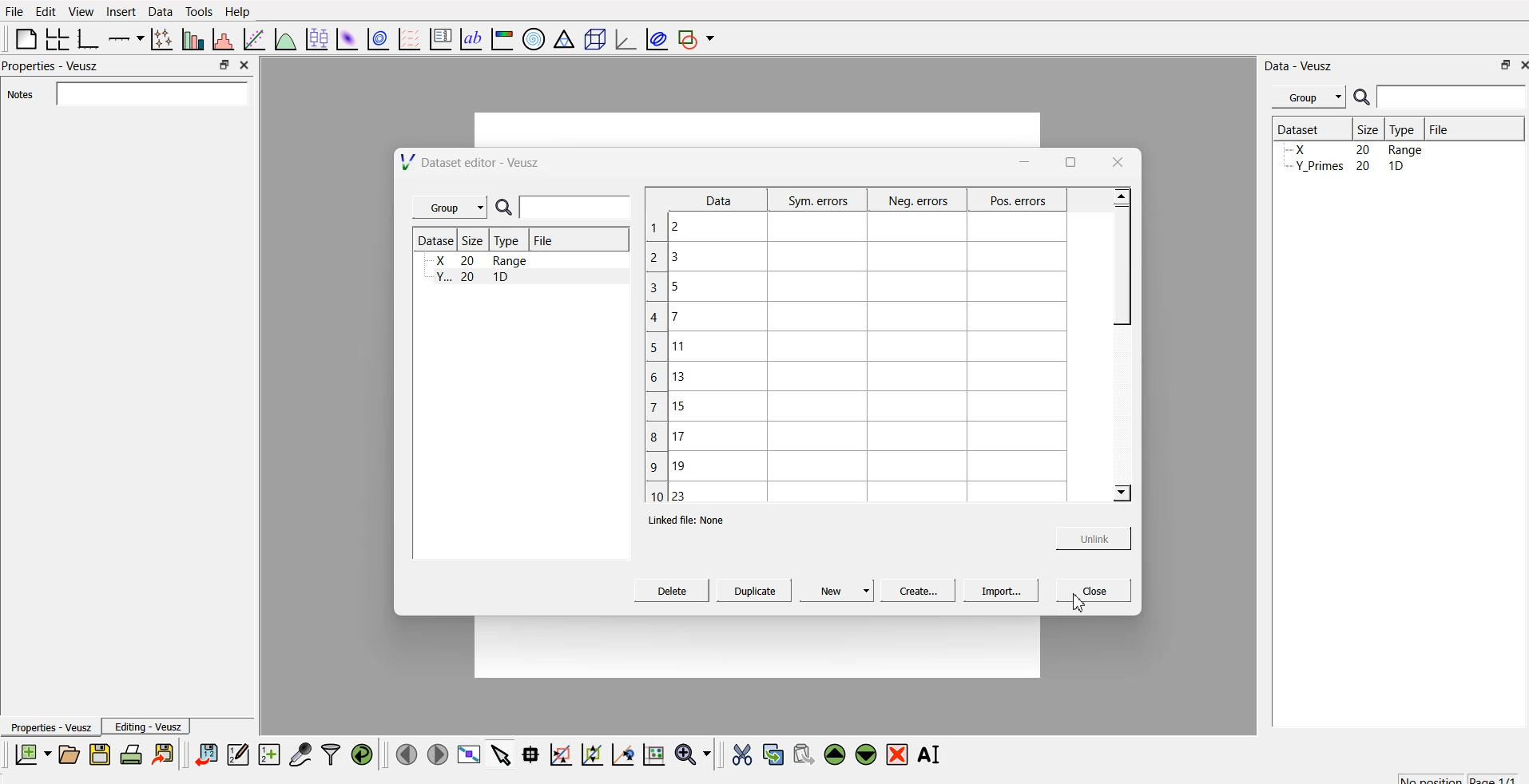  Describe the element at coordinates (43, 10) in the screenshot. I see `Edit` at that location.